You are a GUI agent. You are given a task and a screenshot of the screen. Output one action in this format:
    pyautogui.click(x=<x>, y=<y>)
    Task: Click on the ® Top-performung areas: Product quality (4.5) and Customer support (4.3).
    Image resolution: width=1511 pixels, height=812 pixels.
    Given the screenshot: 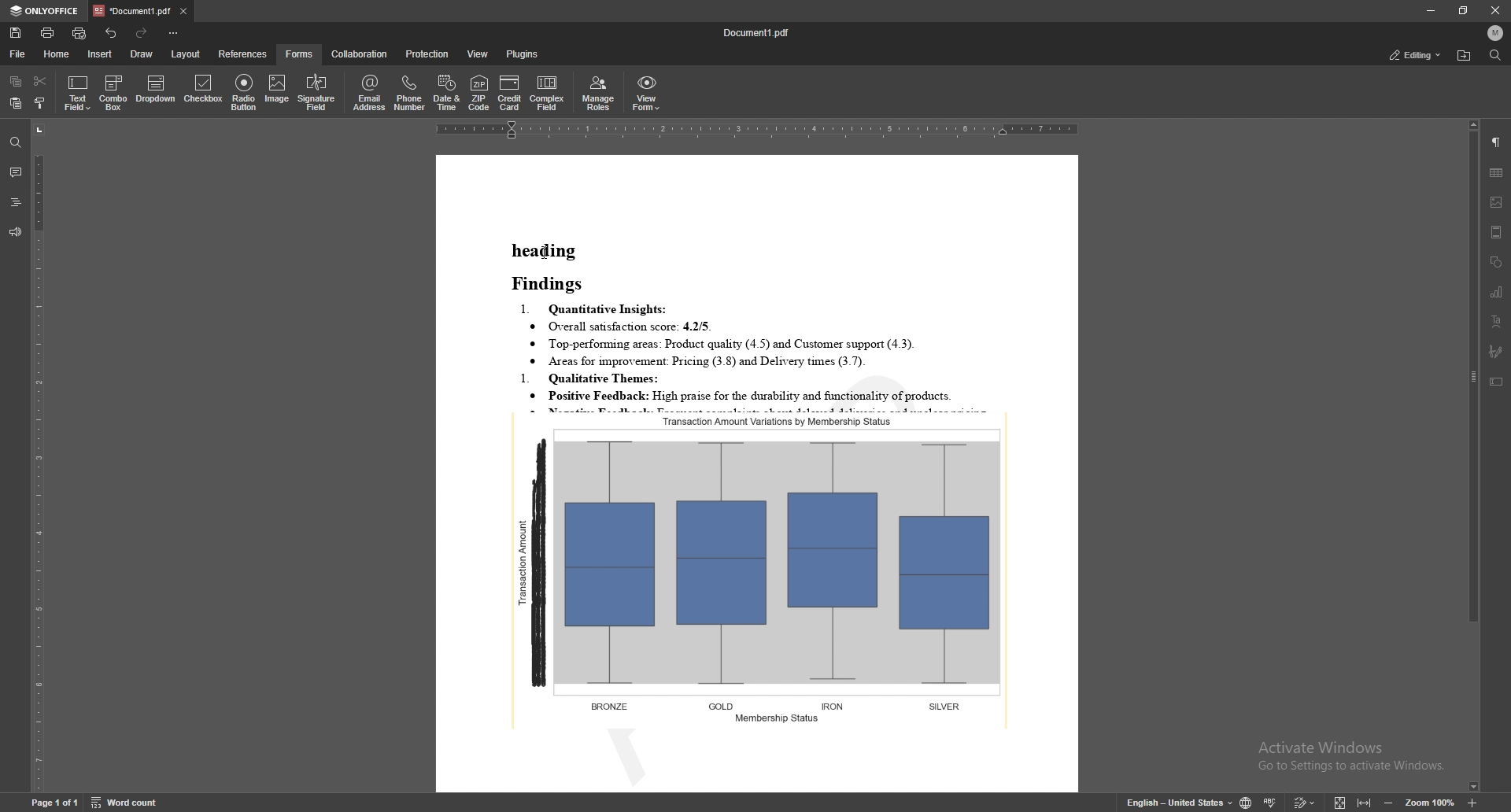 What is the action you would take?
    pyautogui.click(x=729, y=345)
    